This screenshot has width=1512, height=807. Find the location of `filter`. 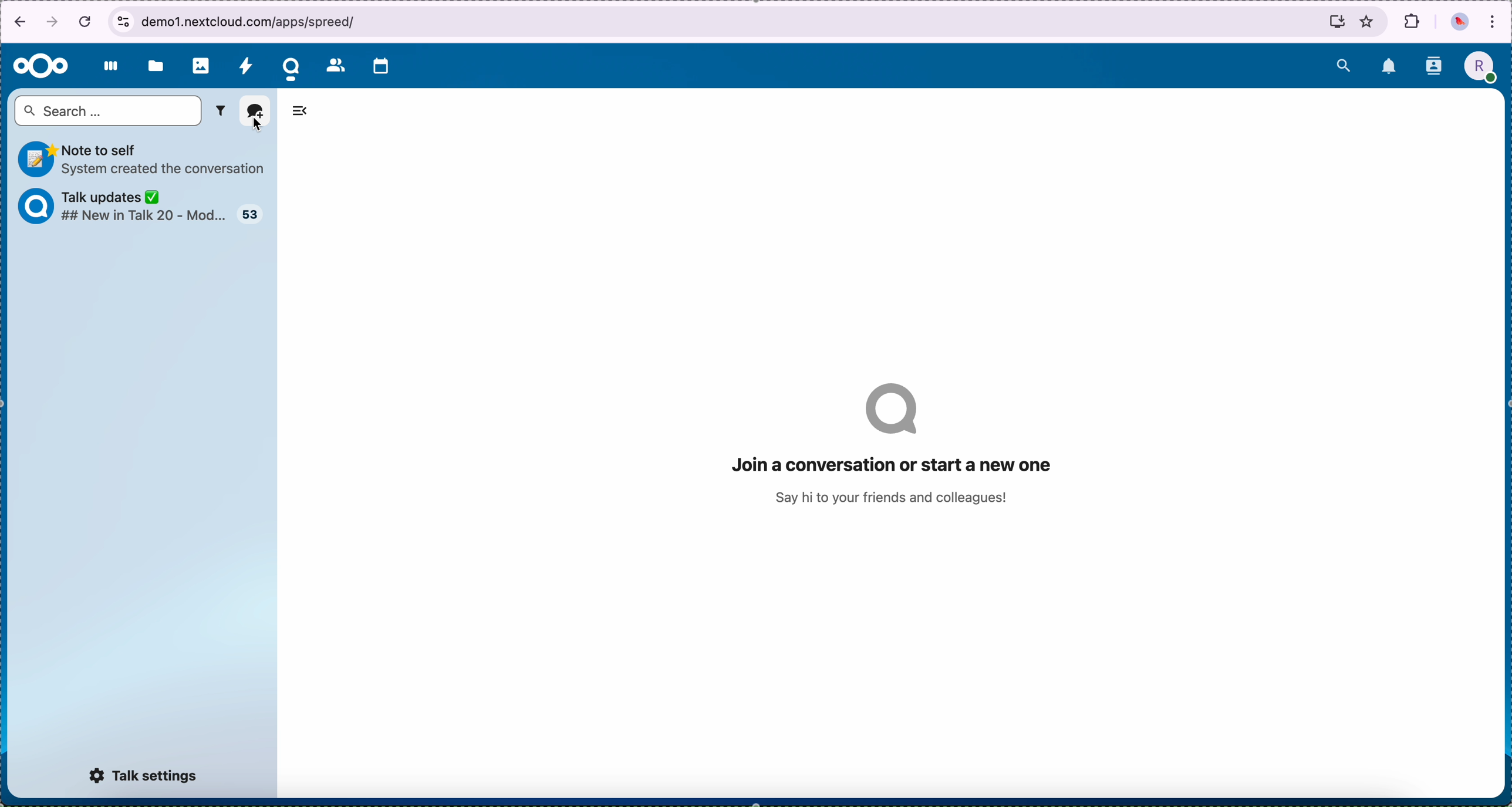

filter is located at coordinates (220, 112).